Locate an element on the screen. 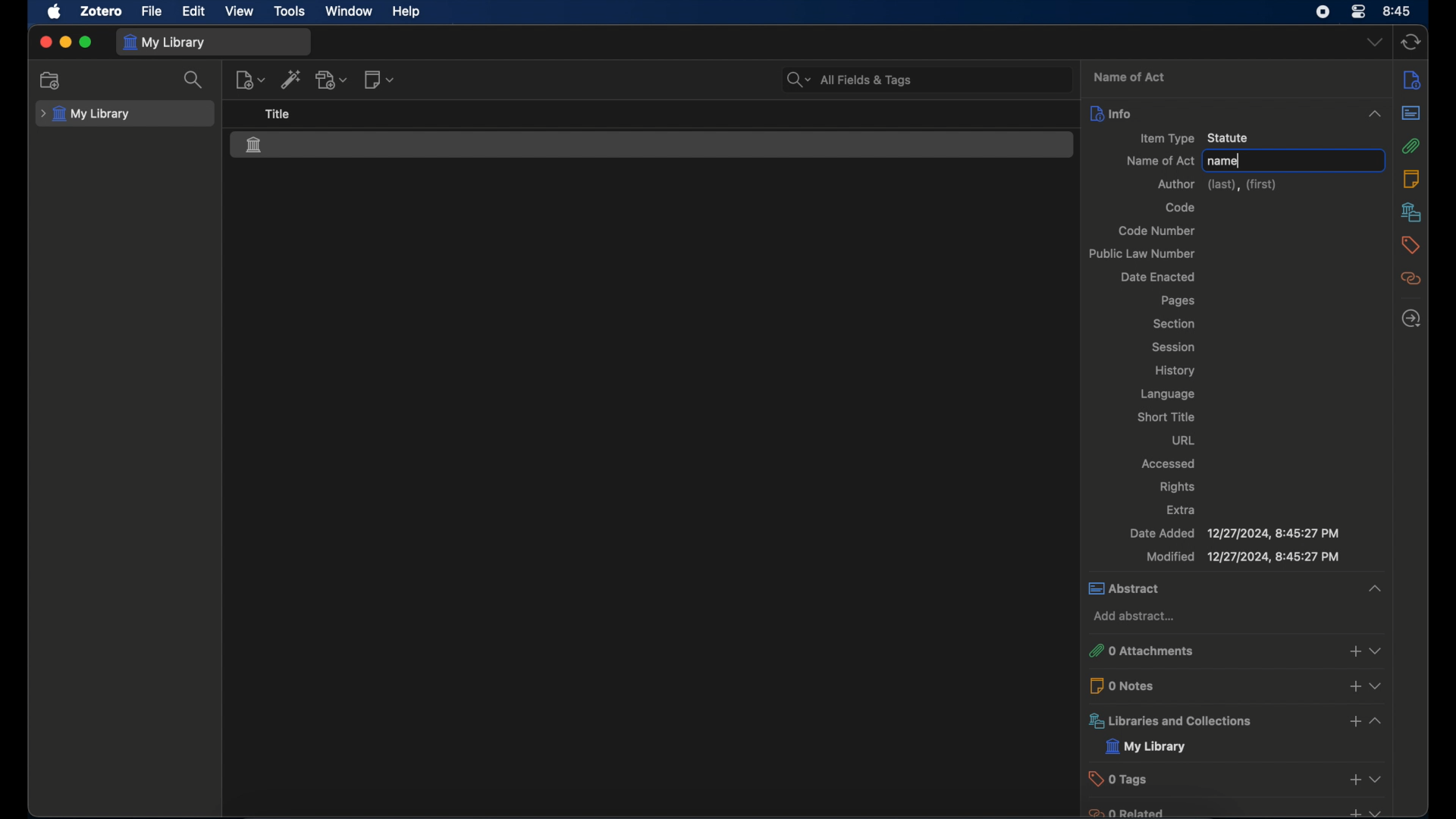 This screenshot has width=1456, height=819. code is located at coordinates (1180, 207).